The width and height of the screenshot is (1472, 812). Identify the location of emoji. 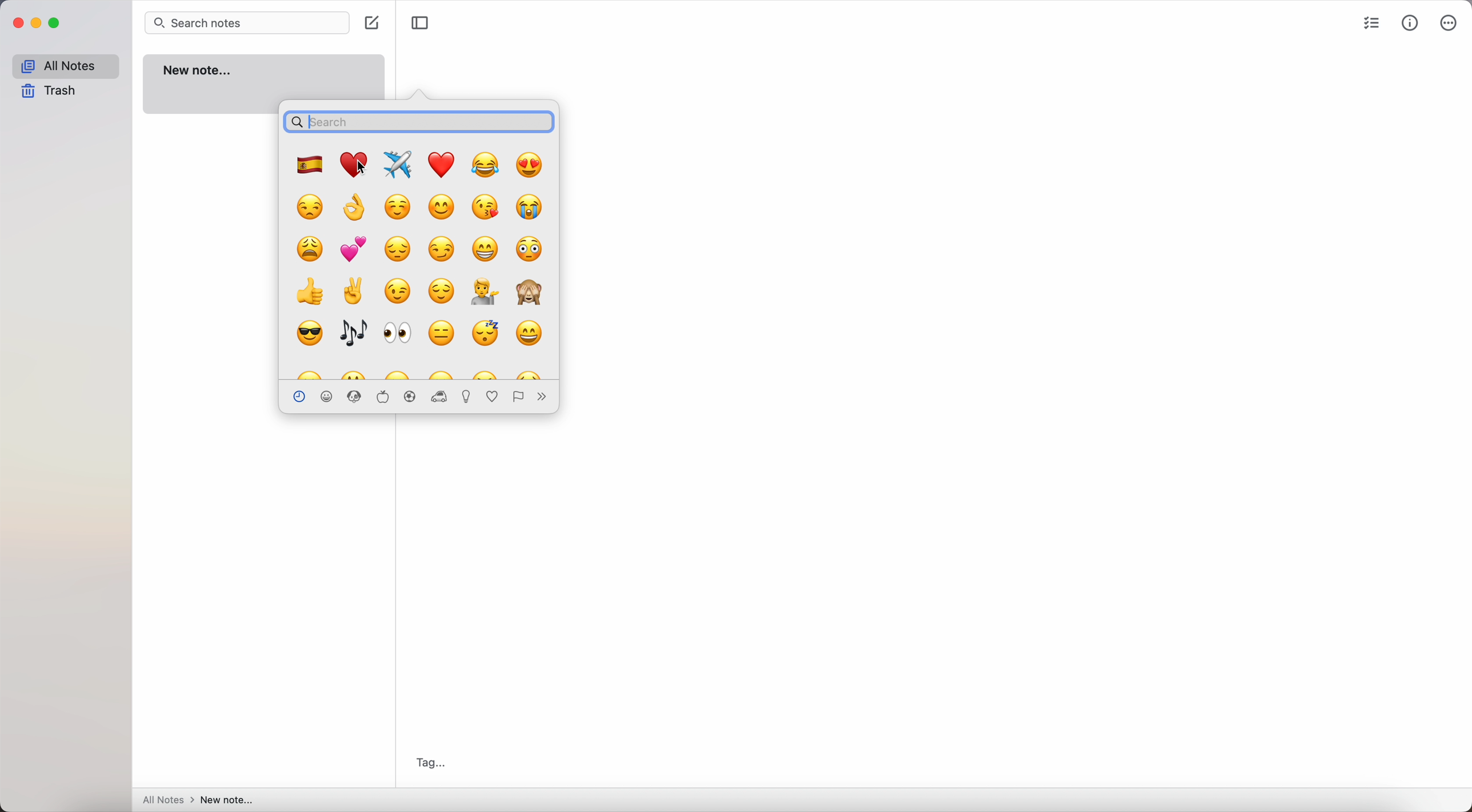
(487, 248).